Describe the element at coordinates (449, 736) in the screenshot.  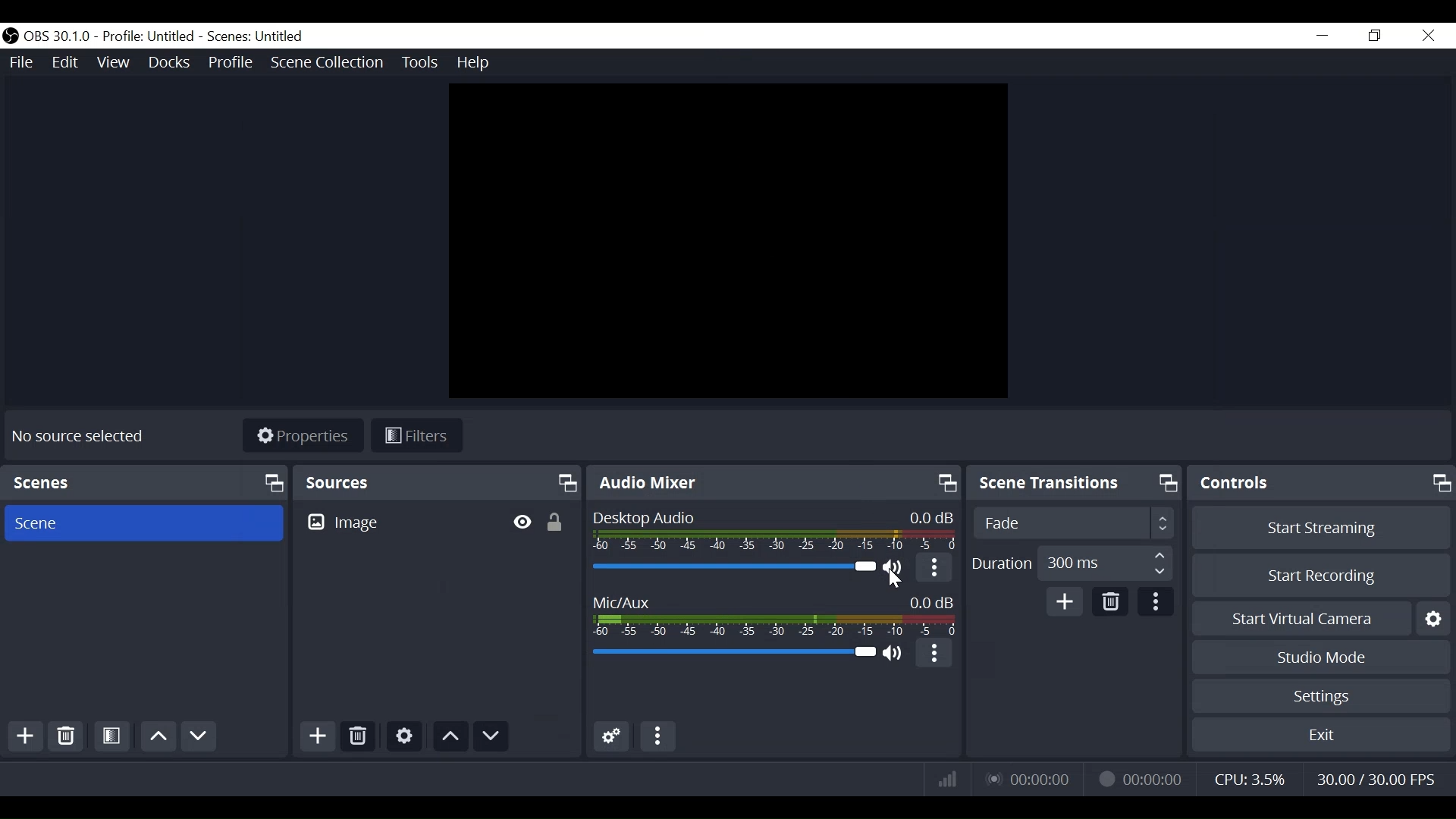
I see `Move Up` at that location.